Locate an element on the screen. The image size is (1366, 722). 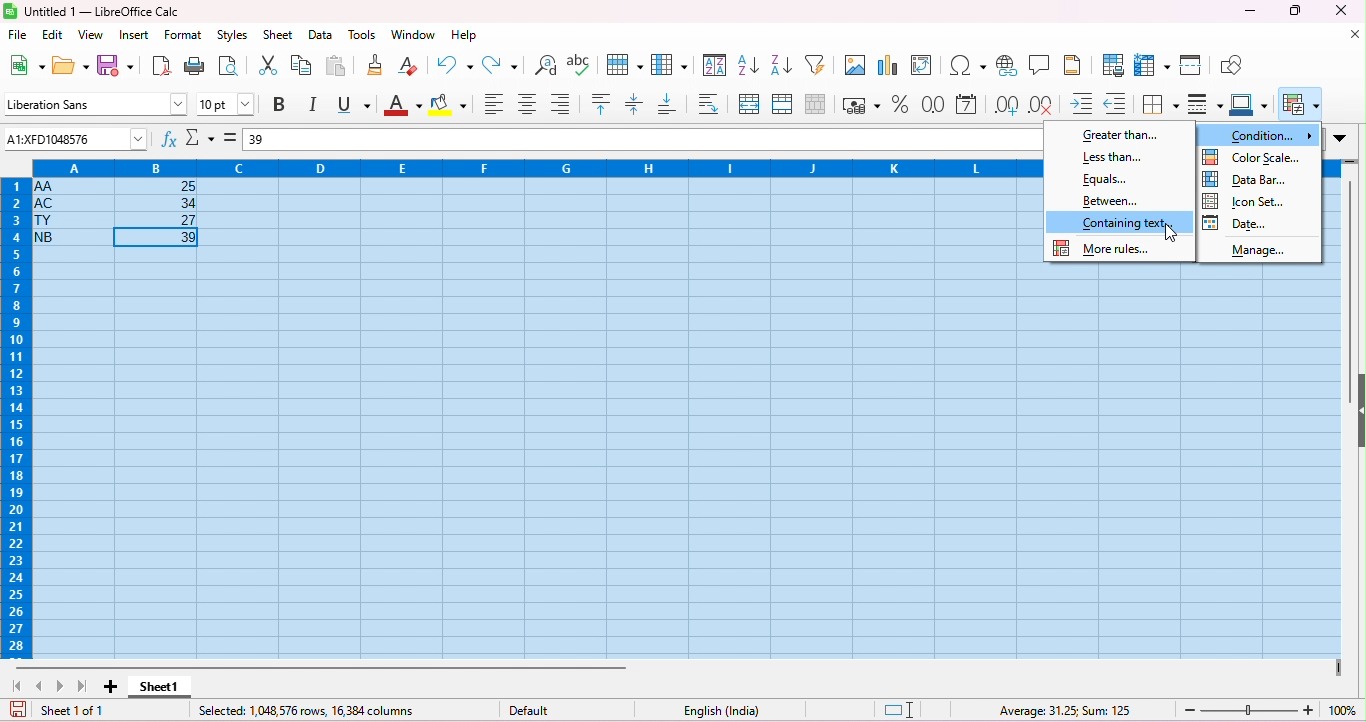
find and replace is located at coordinates (546, 65).